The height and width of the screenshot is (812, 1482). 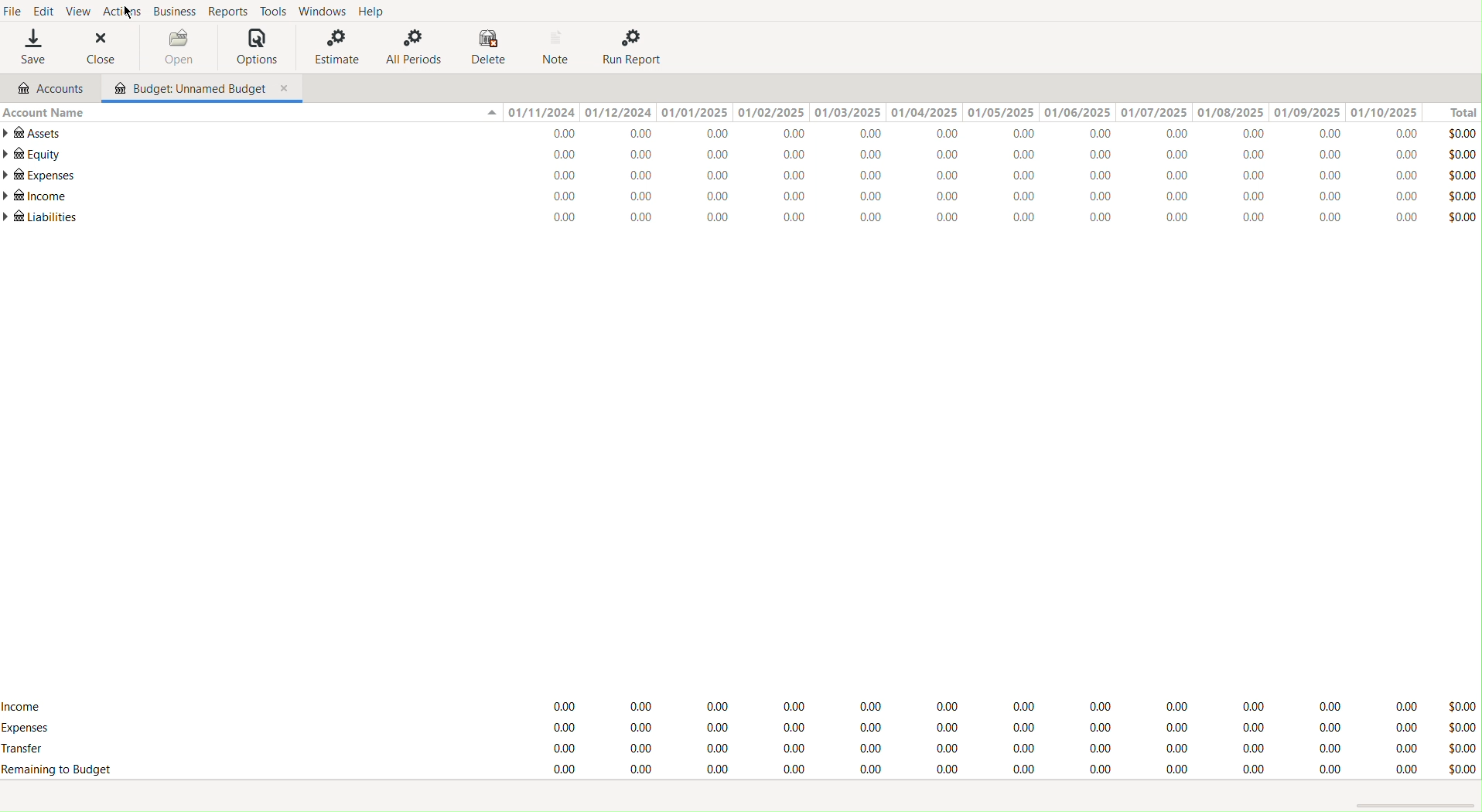 What do you see at coordinates (1460, 737) in the screenshot?
I see `Total Value` at bounding box center [1460, 737].